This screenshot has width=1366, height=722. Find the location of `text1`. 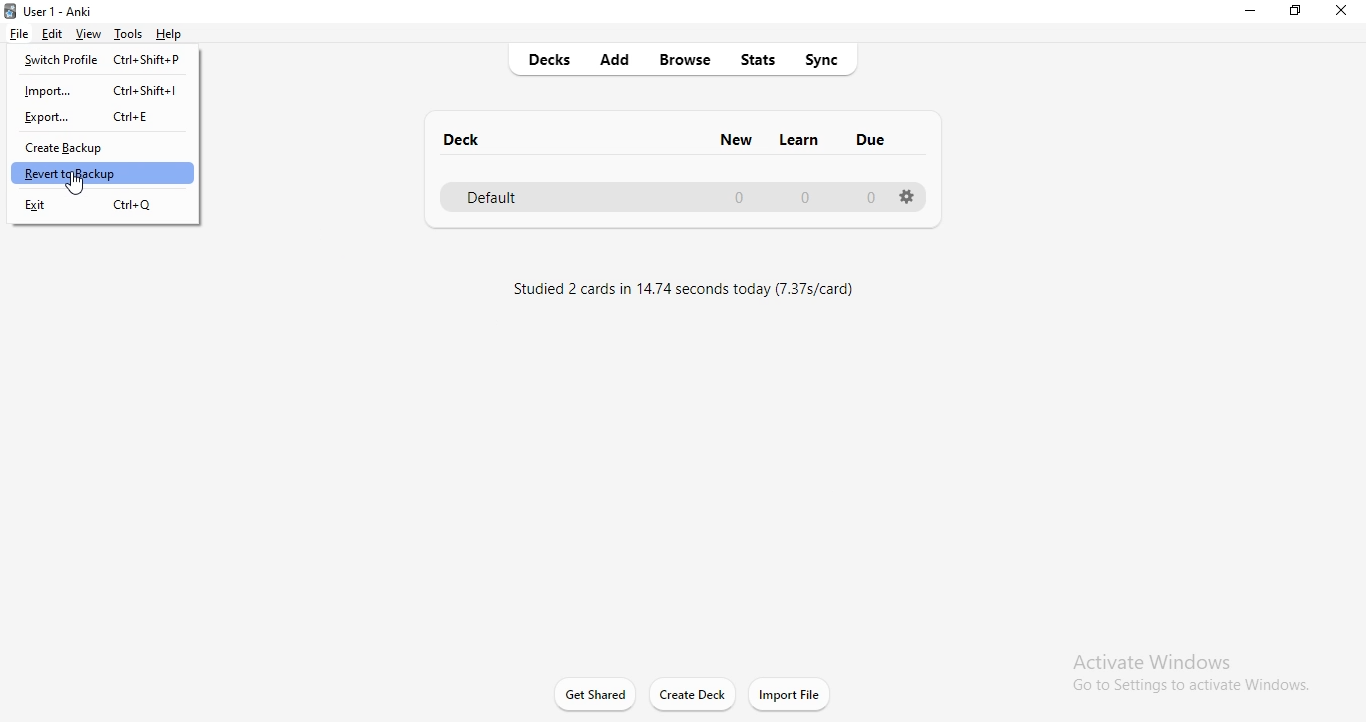

text1 is located at coordinates (688, 286).